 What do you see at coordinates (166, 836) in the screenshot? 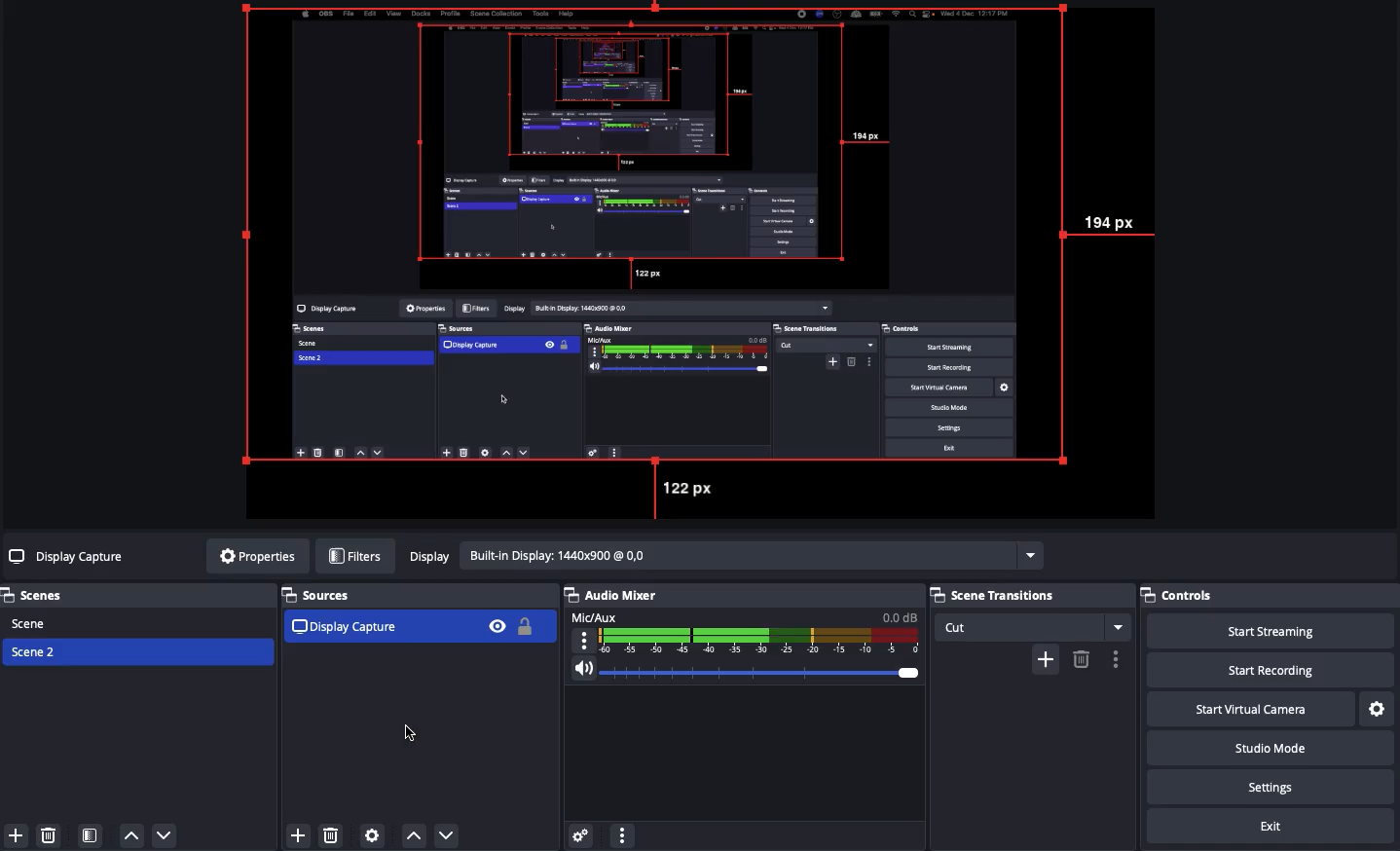
I see `Move down` at bounding box center [166, 836].